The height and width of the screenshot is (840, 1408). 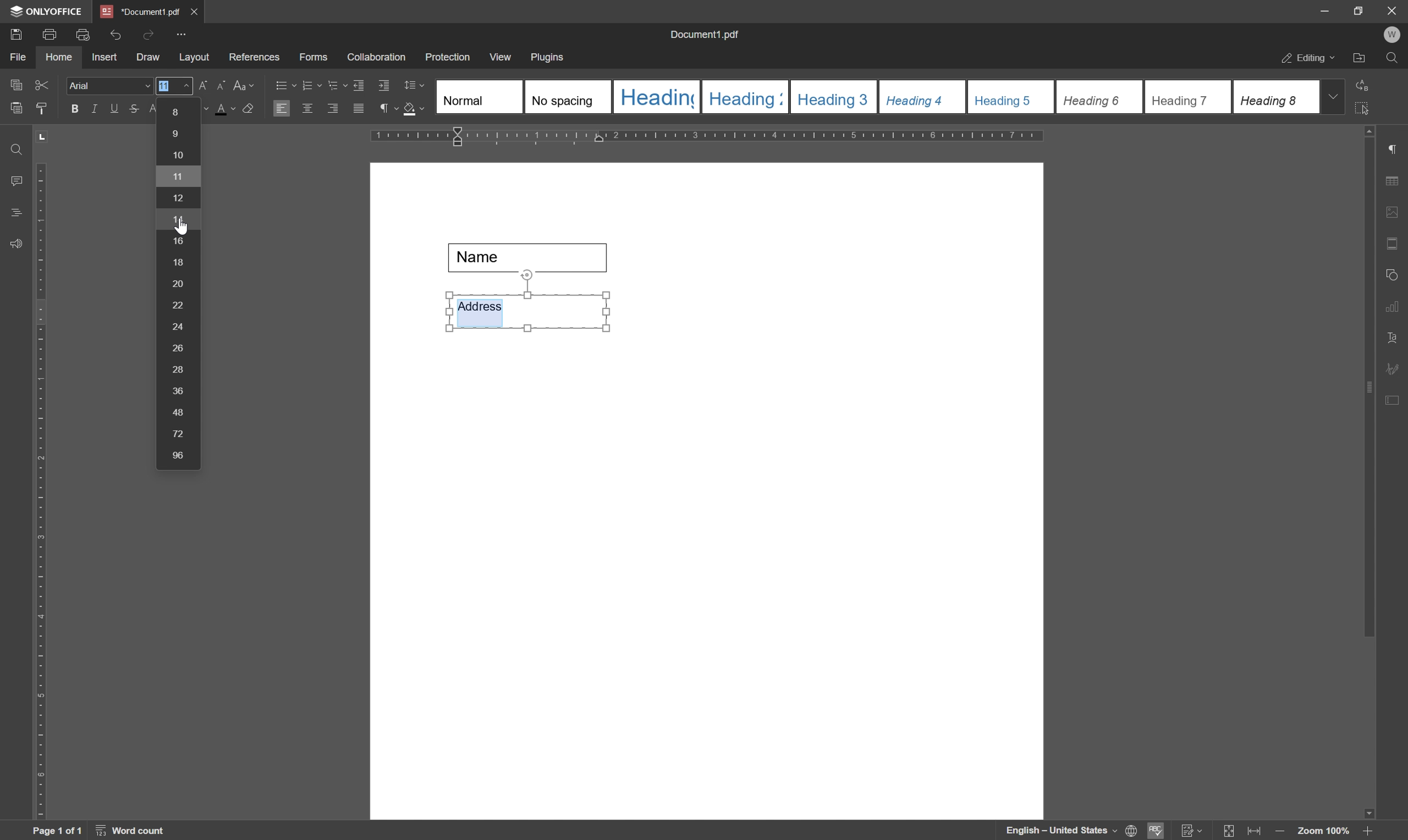 I want to click on drop down, so click(x=1334, y=96).